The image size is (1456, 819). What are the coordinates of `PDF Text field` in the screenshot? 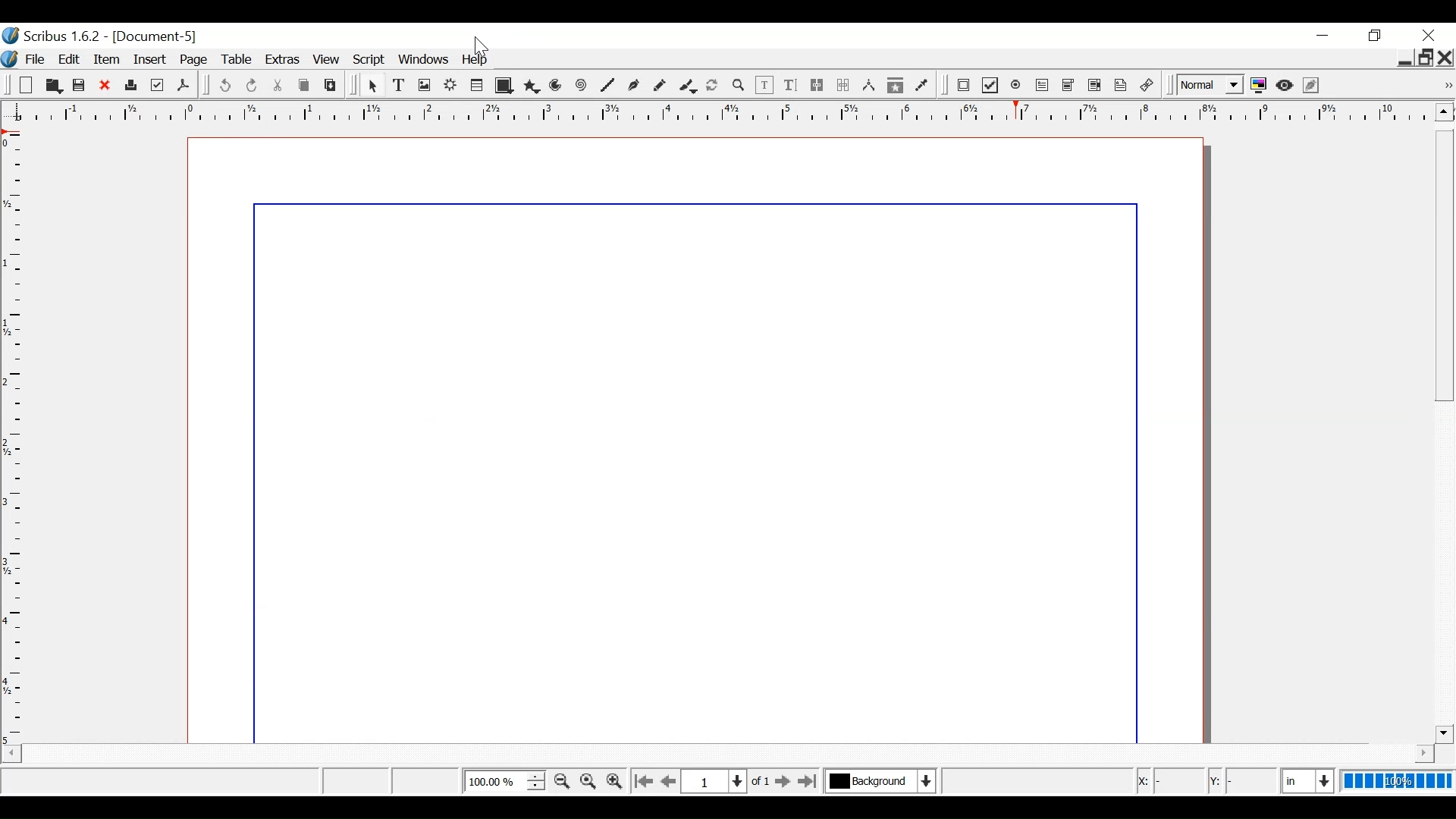 It's located at (1043, 86).